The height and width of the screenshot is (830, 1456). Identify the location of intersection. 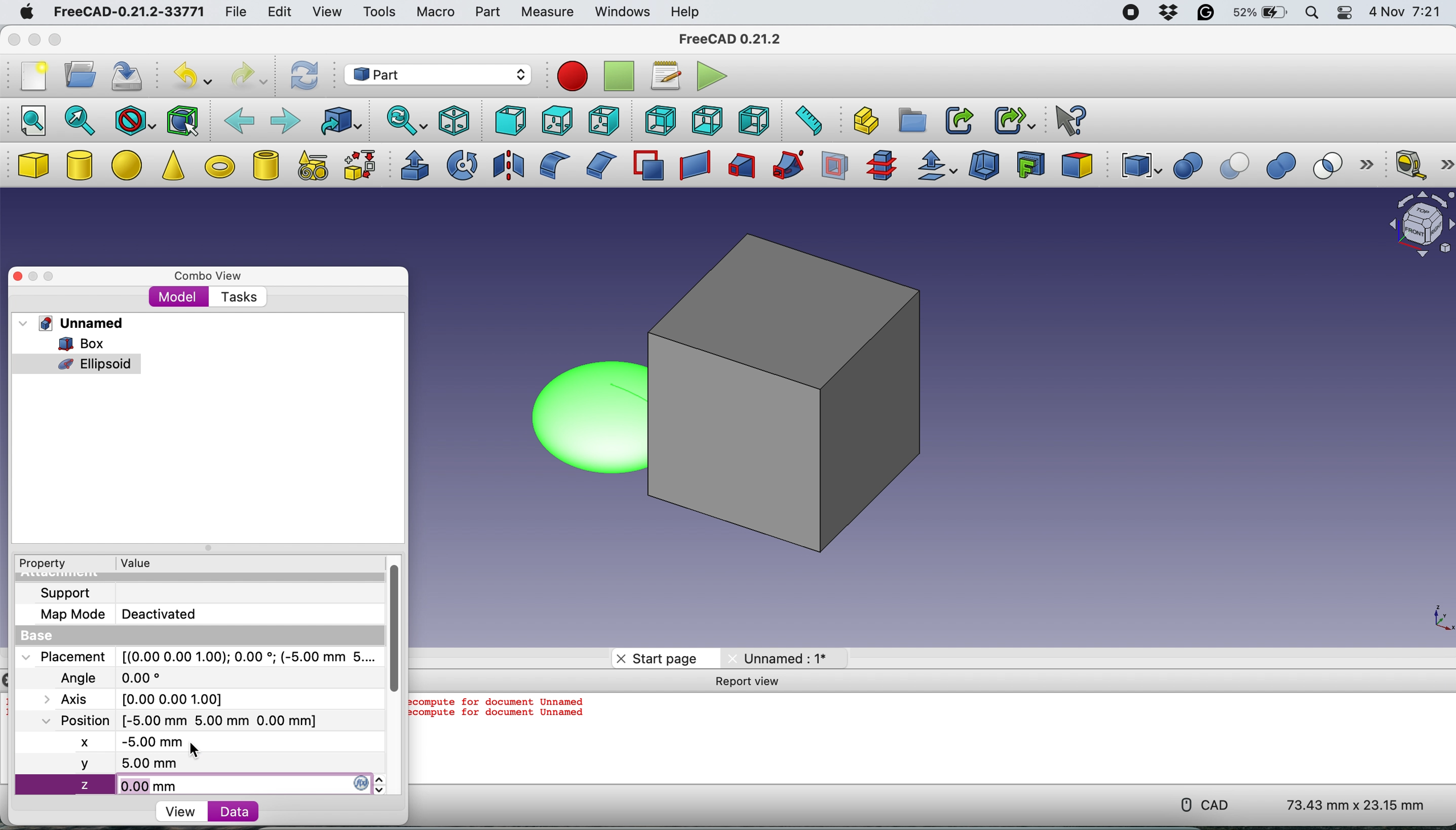
(1334, 165).